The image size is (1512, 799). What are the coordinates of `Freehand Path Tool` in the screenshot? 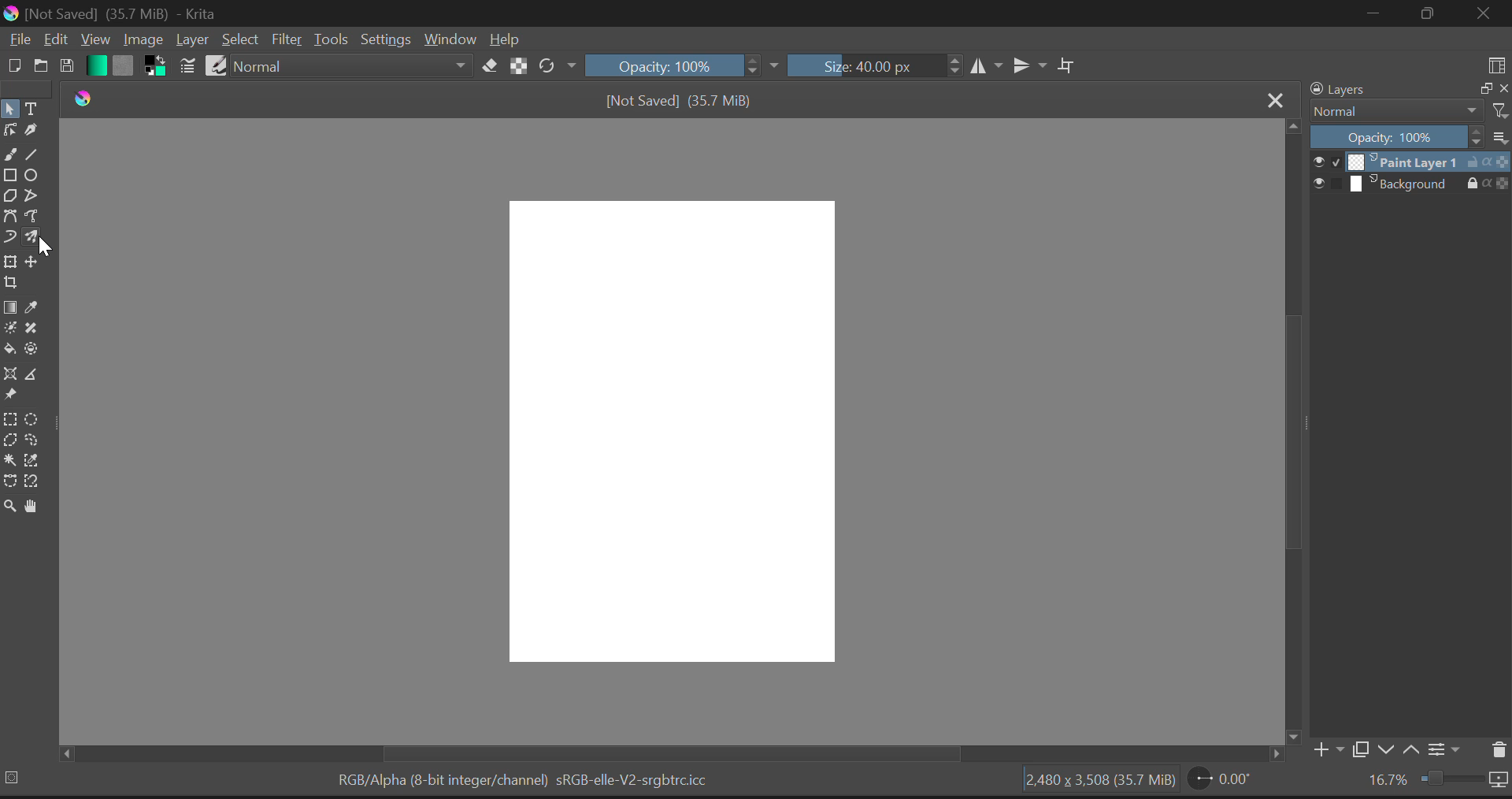 It's located at (34, 217).